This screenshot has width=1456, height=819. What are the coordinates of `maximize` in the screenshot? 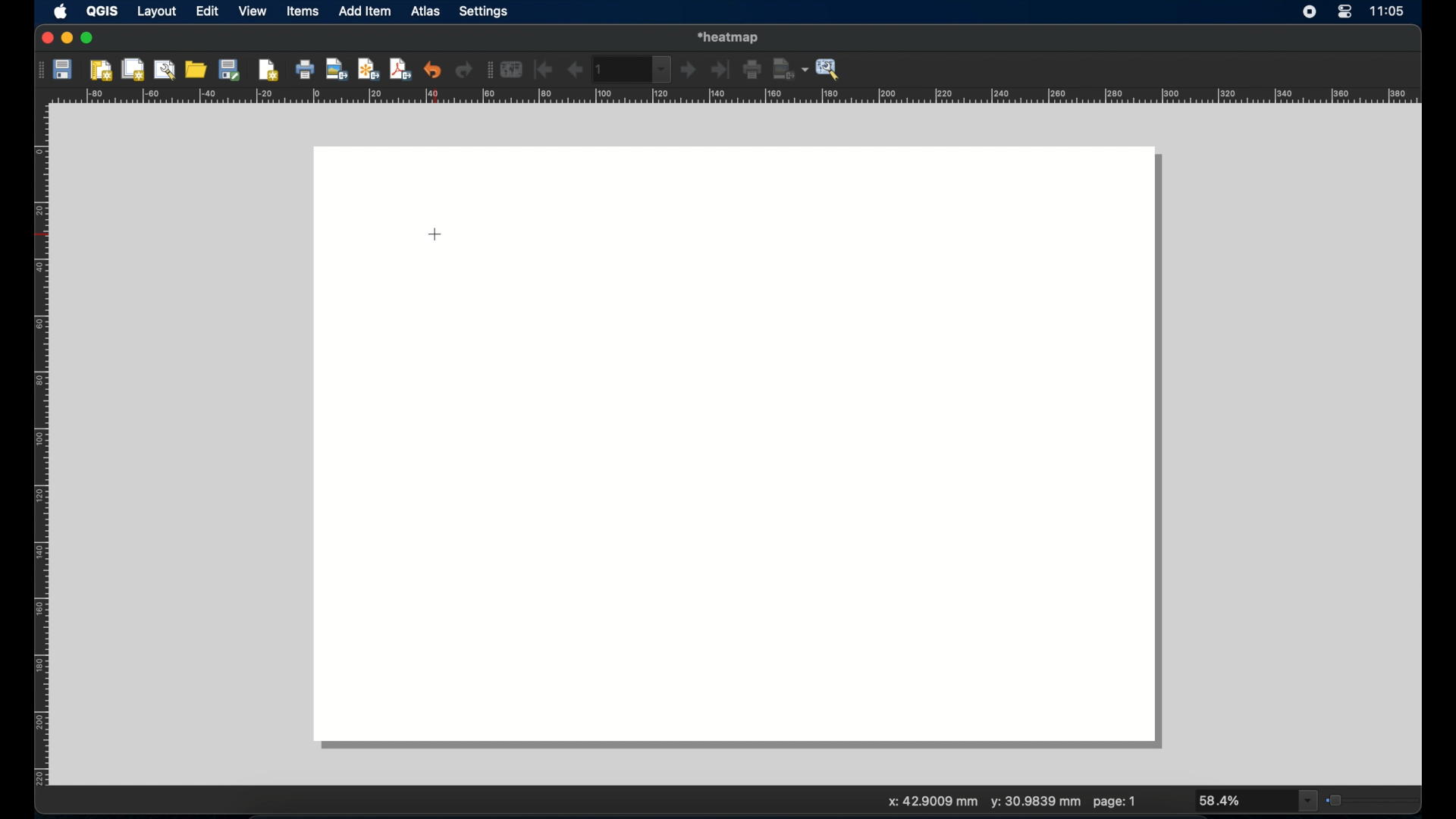 It's located at (88, 39).